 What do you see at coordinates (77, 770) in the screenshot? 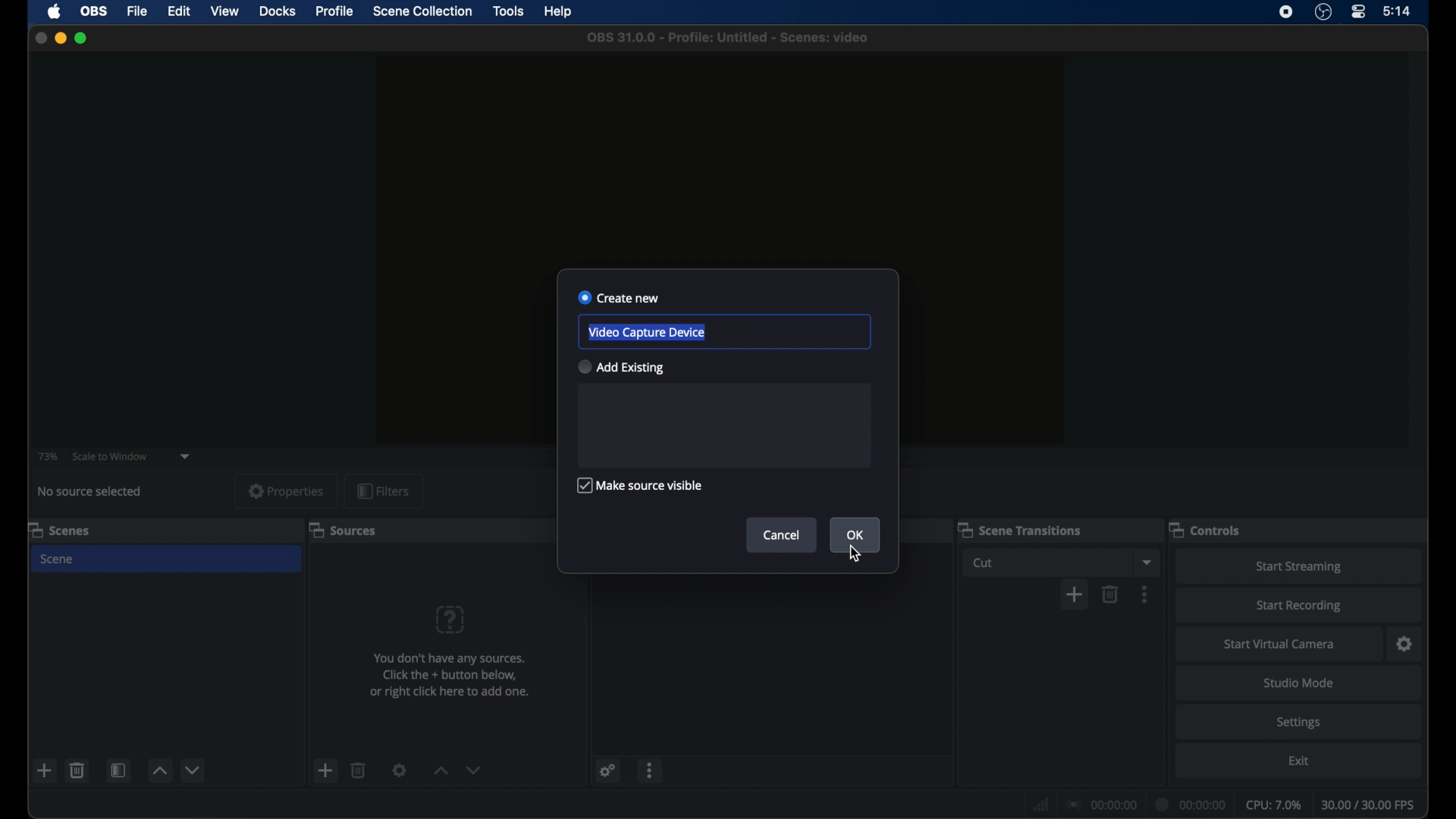
I see `delete` at bounding box center [77, 770].